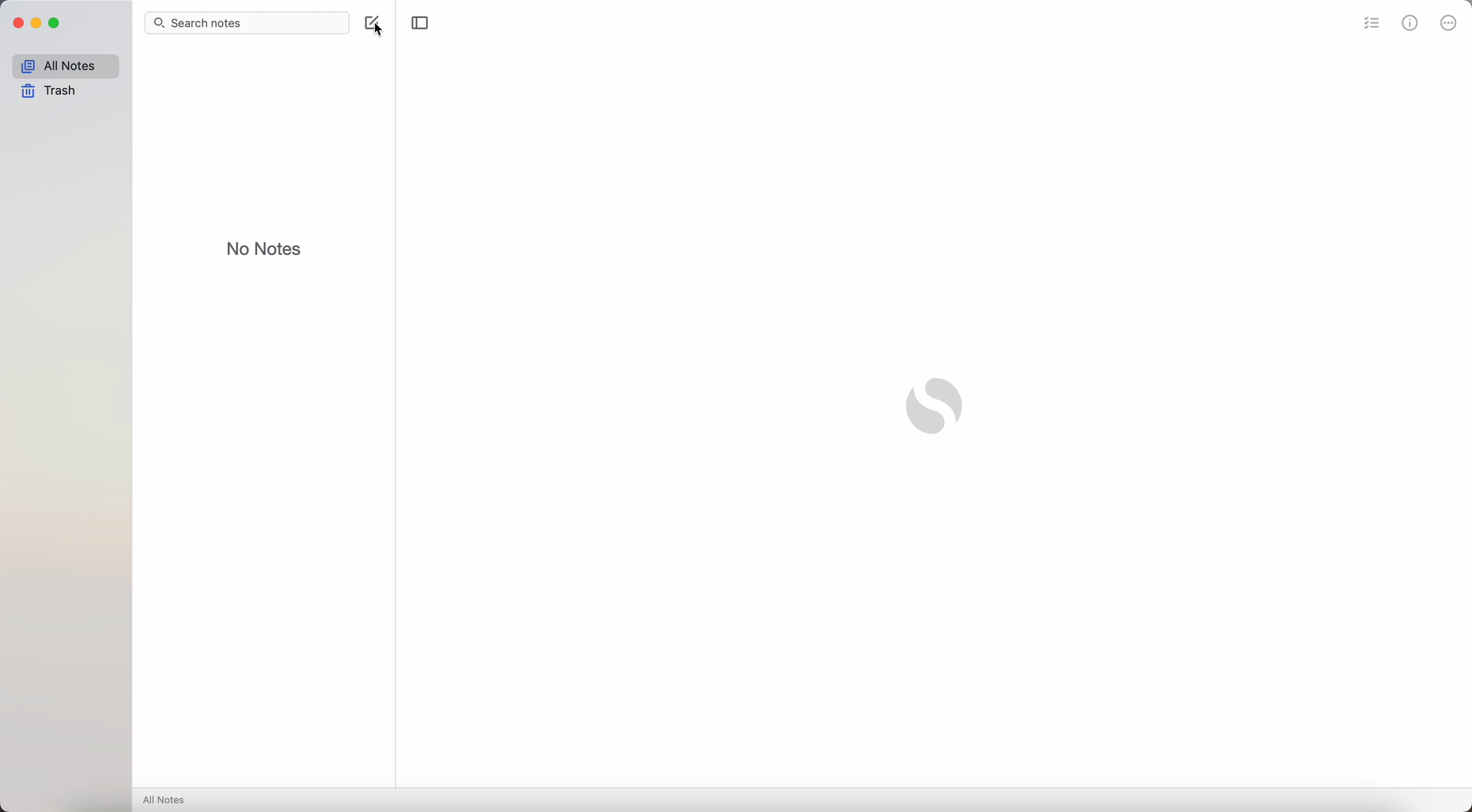 The width and height of the screenshot is (1472, 812). What do you see at coordinates (1448, 22) in the screenshot?
I see `more options` at bounding box center [1448, 22].